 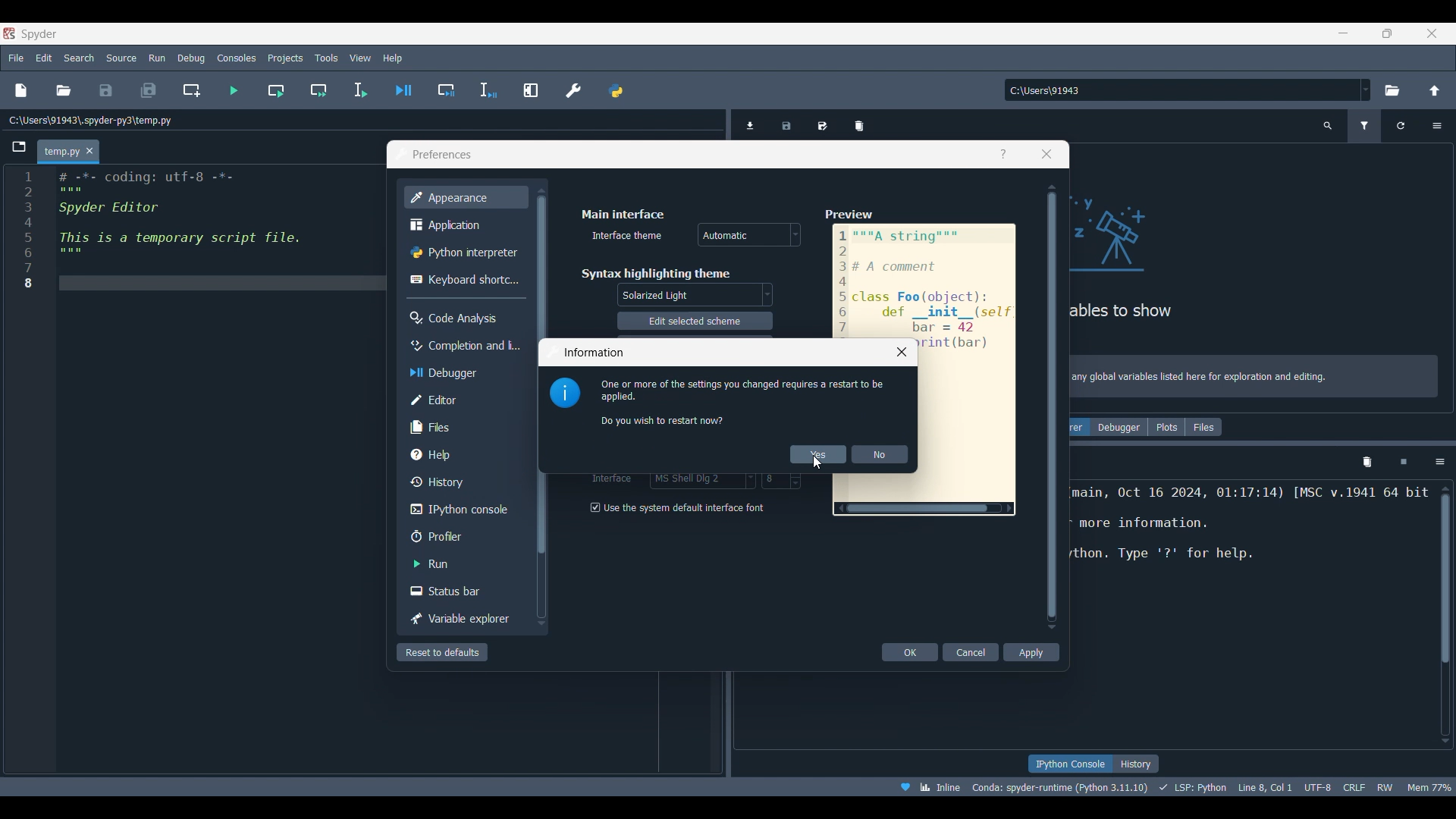 What do you see at coordinates (17, 58) in the screenshot?
I see `File menu` at bounding box center [17, 58].